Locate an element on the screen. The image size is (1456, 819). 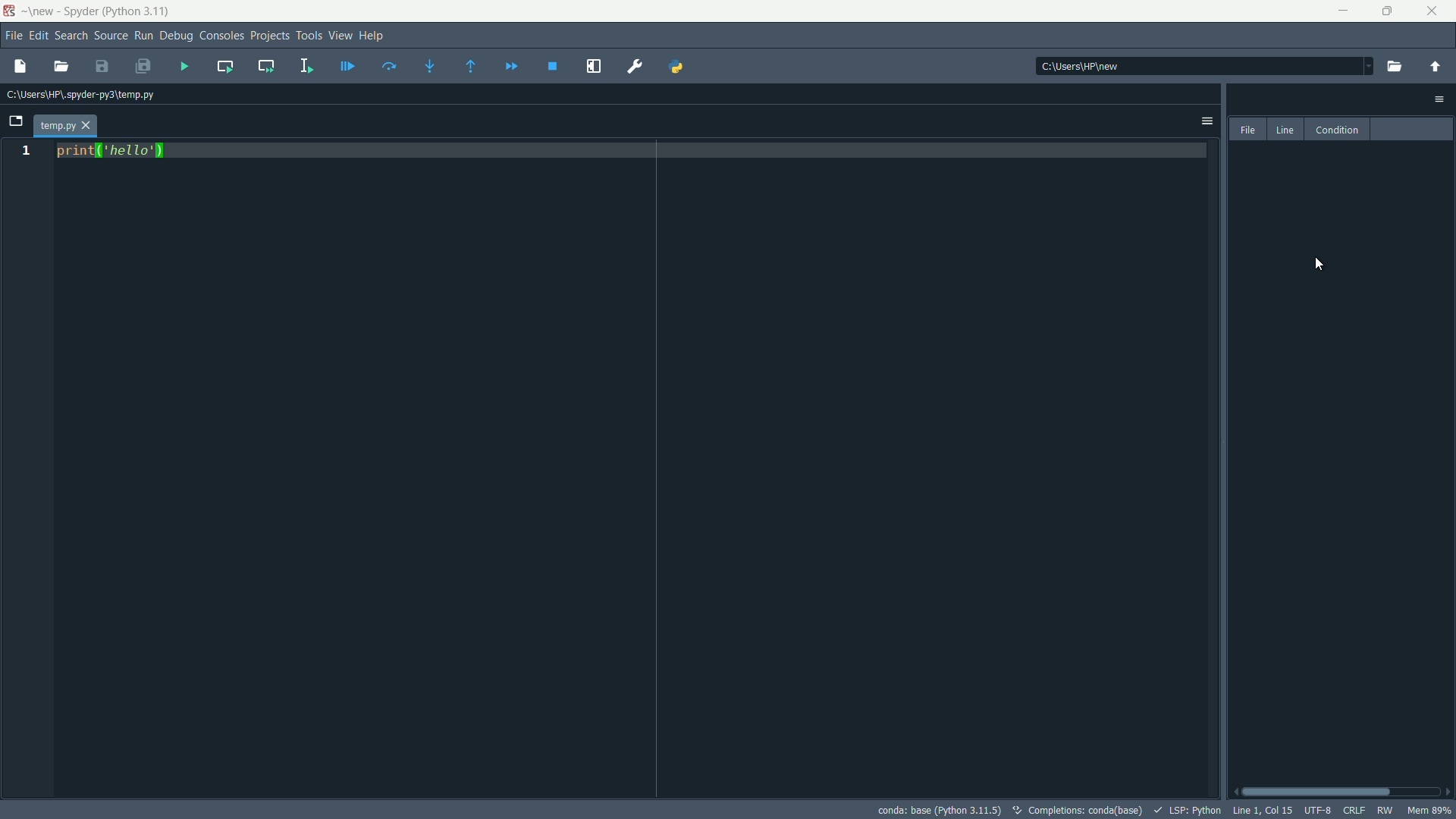
cursor is located at coordinates (1317, 265).